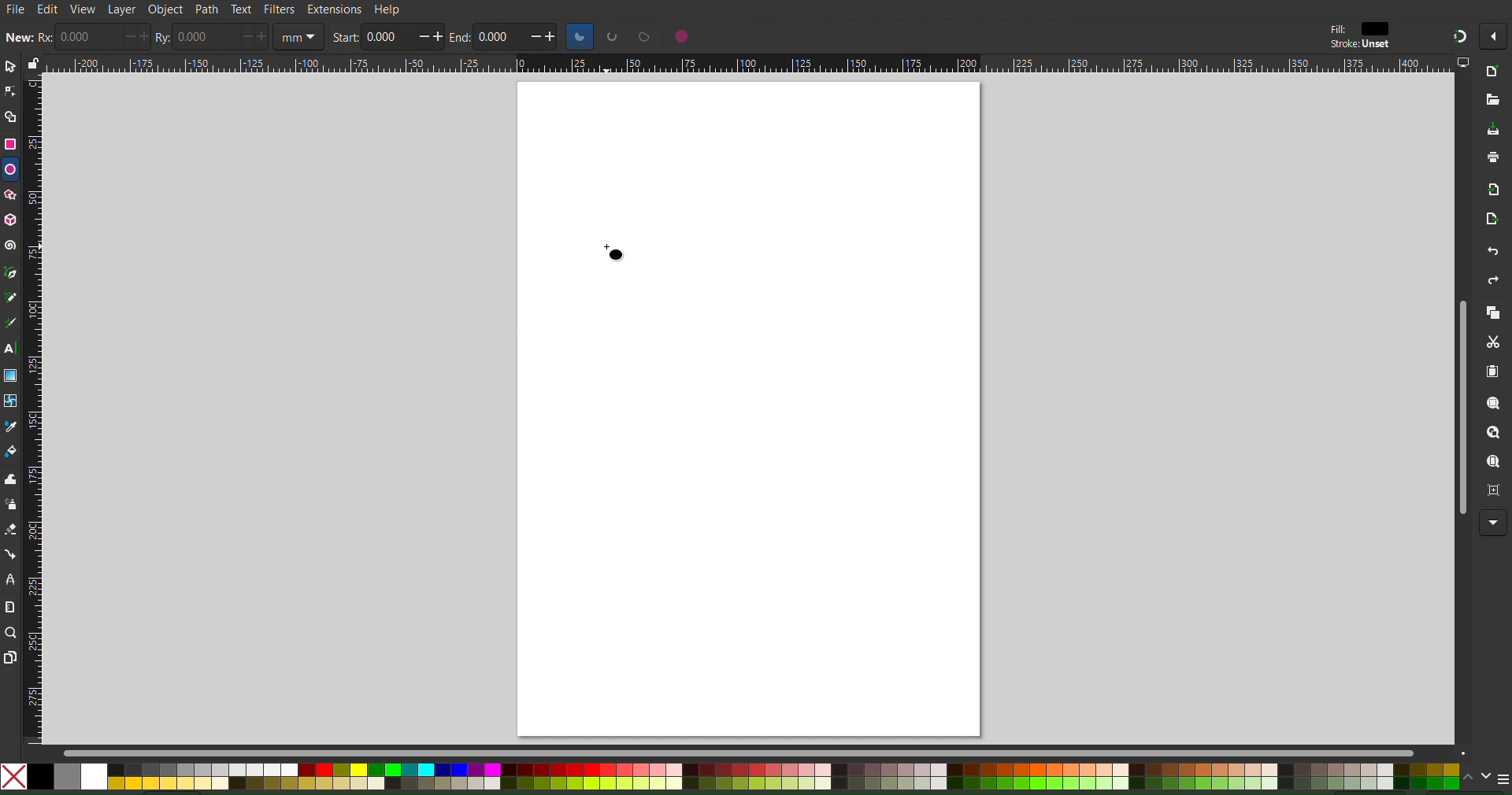  I want to click on Layer , so click(122, 11).